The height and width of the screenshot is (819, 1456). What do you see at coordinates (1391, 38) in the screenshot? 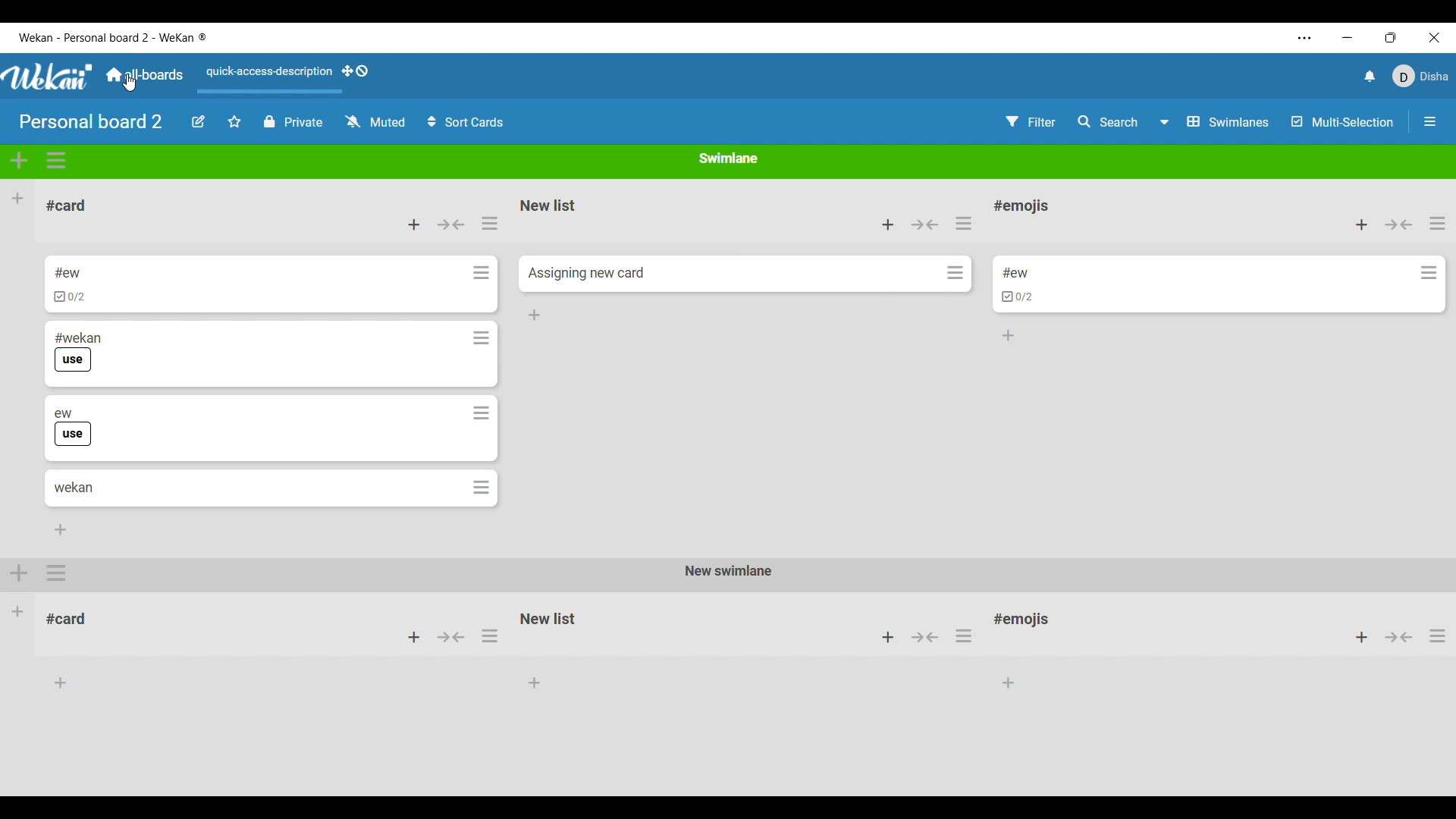
I see `Show interface in smaller tab` at bounding box center [1391, 38].